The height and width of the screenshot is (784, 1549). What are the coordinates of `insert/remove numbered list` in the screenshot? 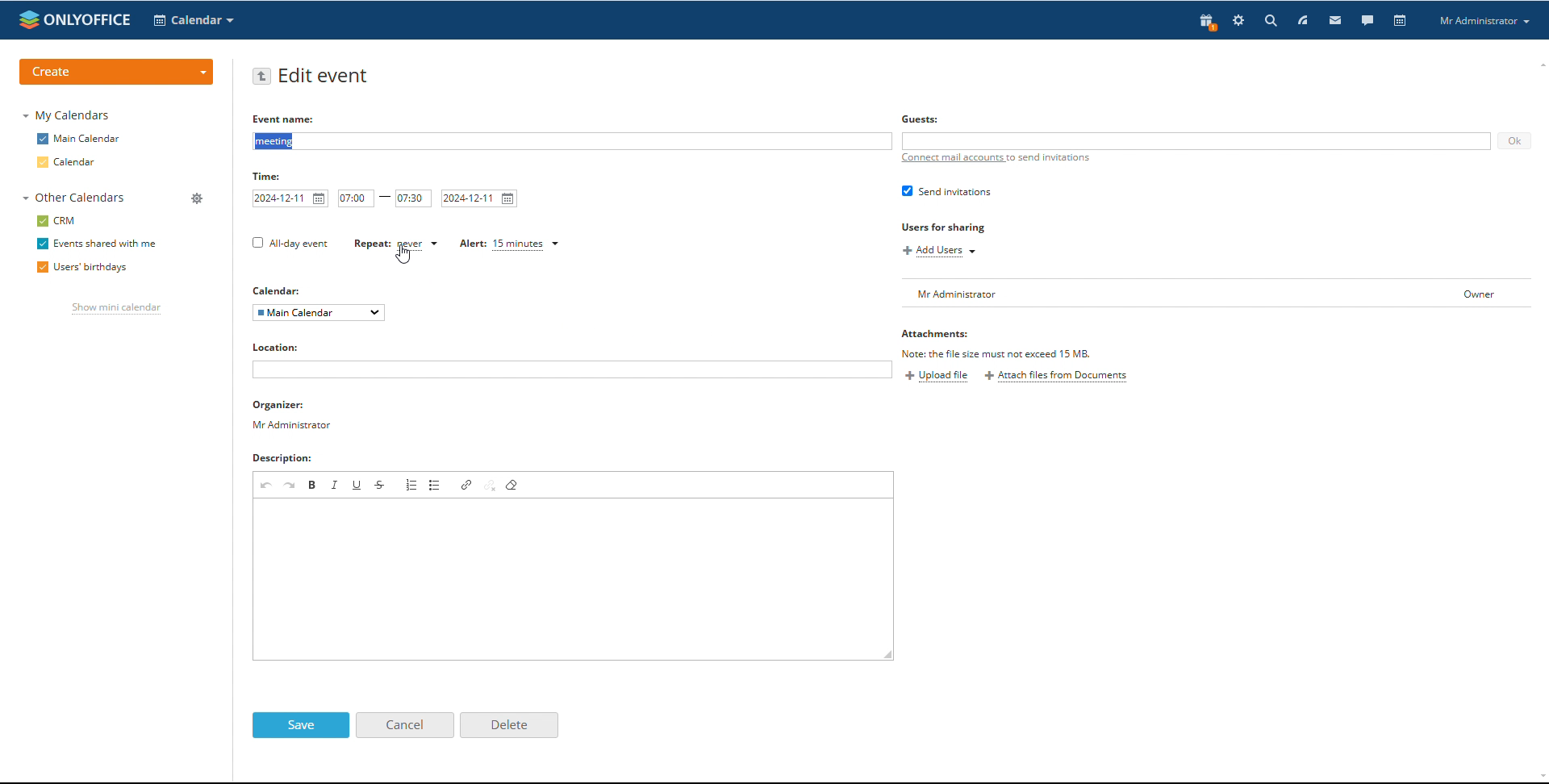 It's located at (411, 485).